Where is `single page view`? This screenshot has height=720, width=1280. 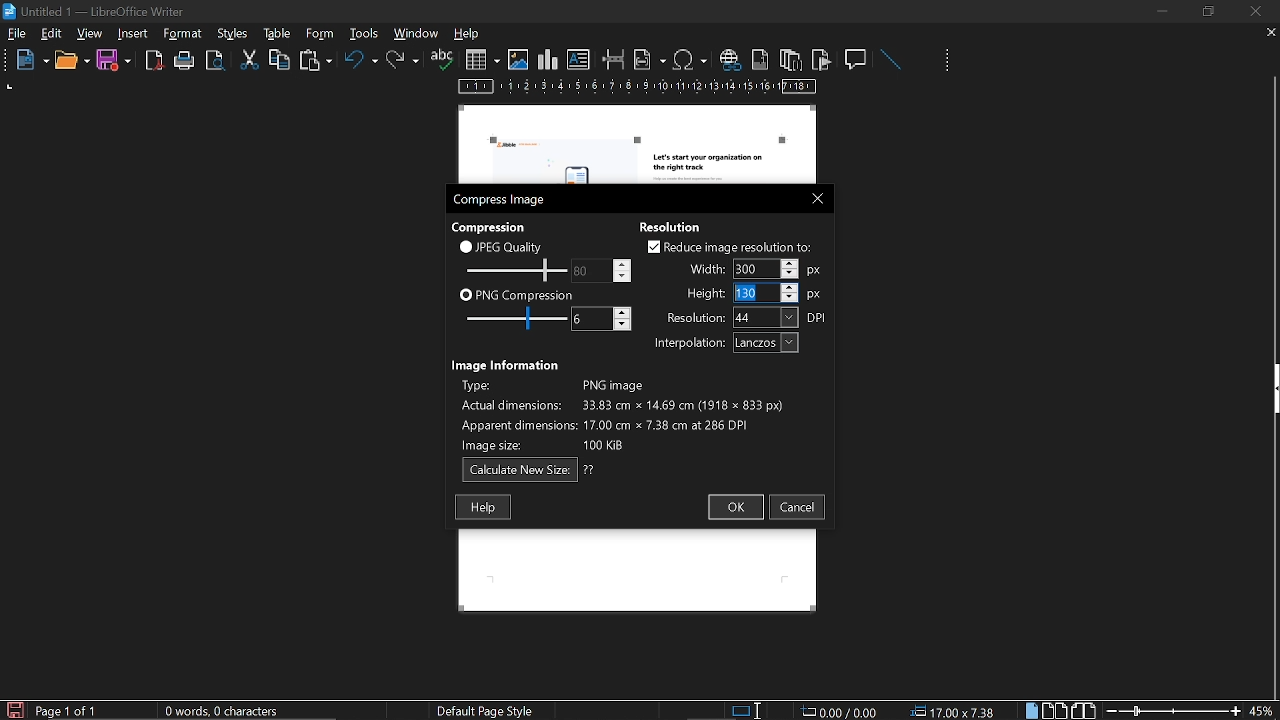 single page view is located at coordinates (1034, 710).